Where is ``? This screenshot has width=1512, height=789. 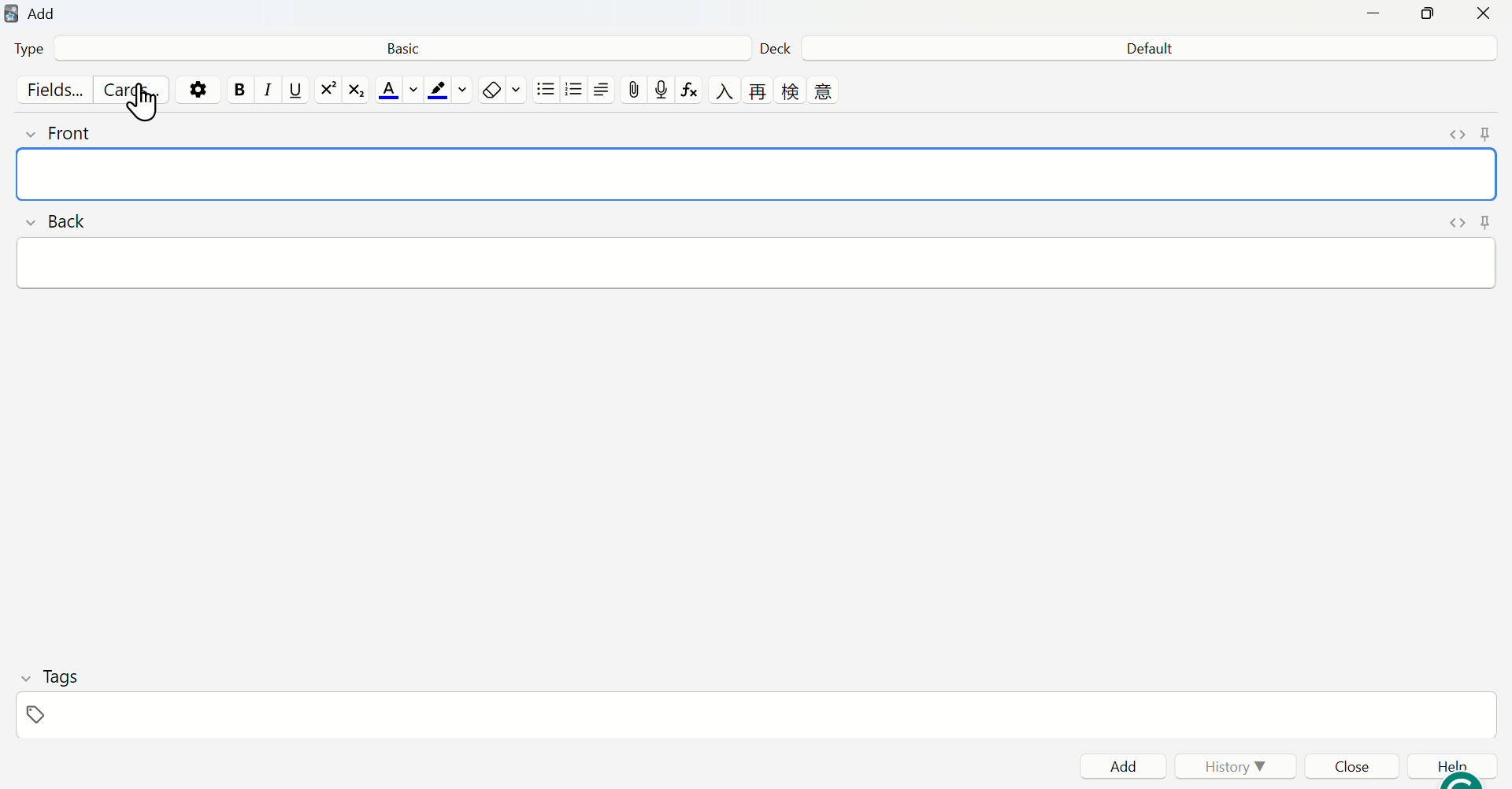  is located at coordinates (544, 91).